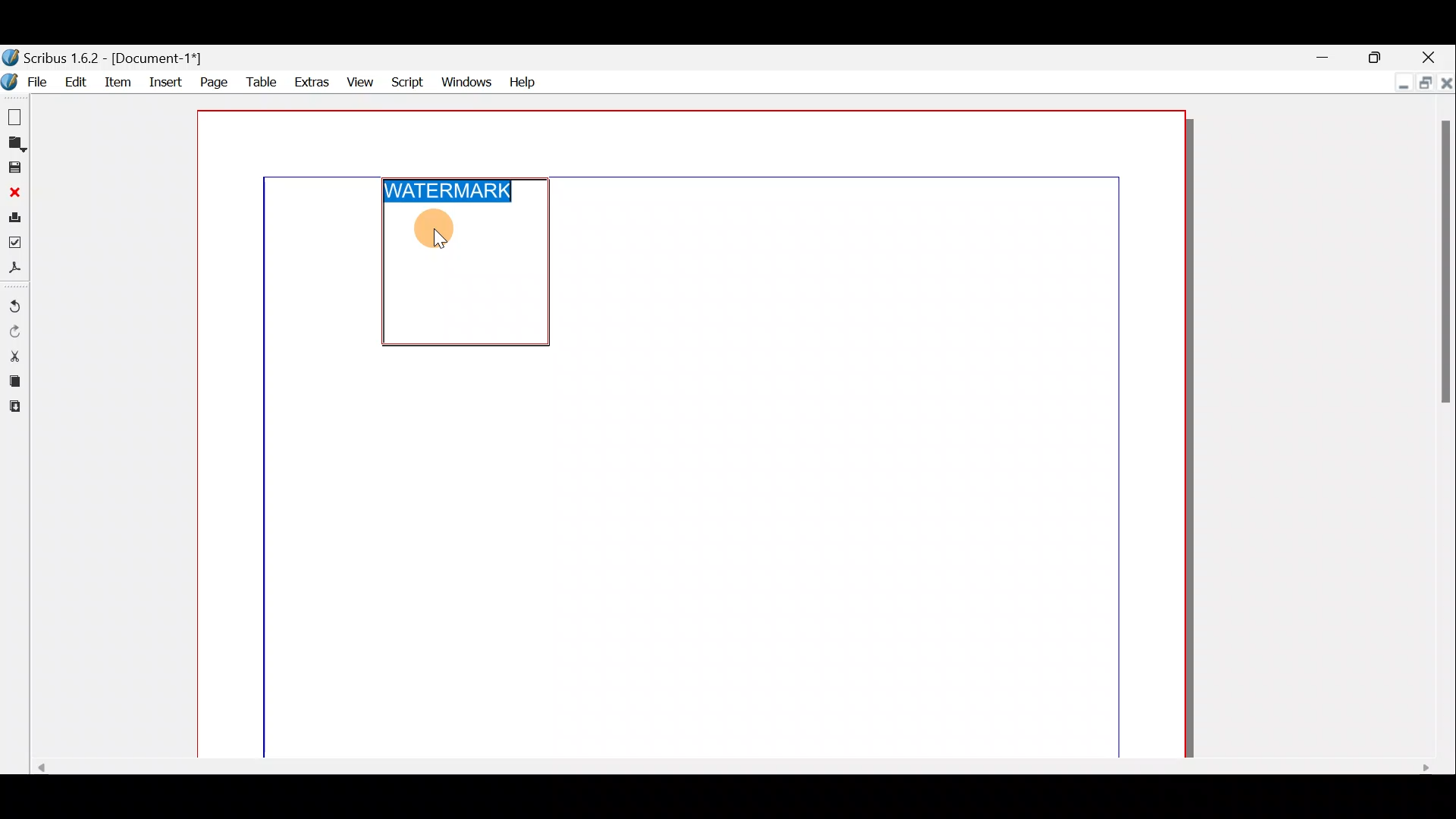 The height and width of the screenshot is (819, 1456). I want to click on Close, so click(14, 193).